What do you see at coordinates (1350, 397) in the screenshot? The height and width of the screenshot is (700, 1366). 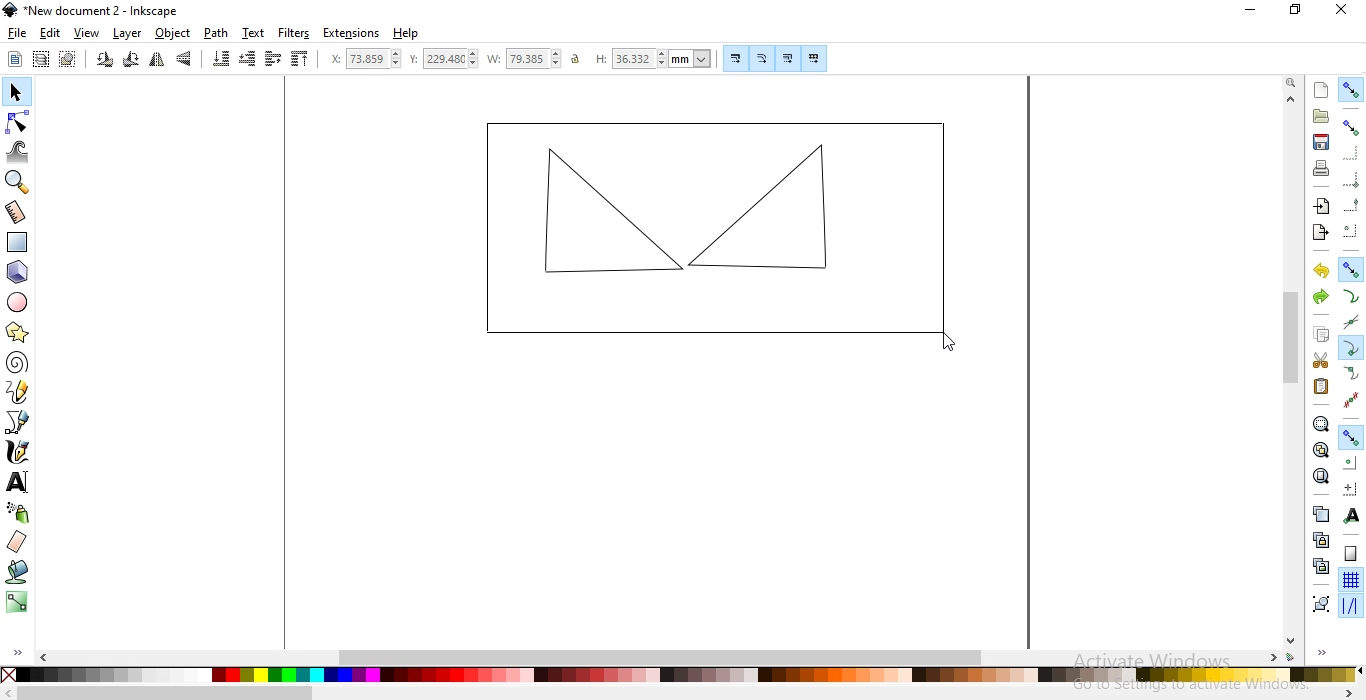 I see `snap midpoints of line segments` at bounding box center [1350, 397].